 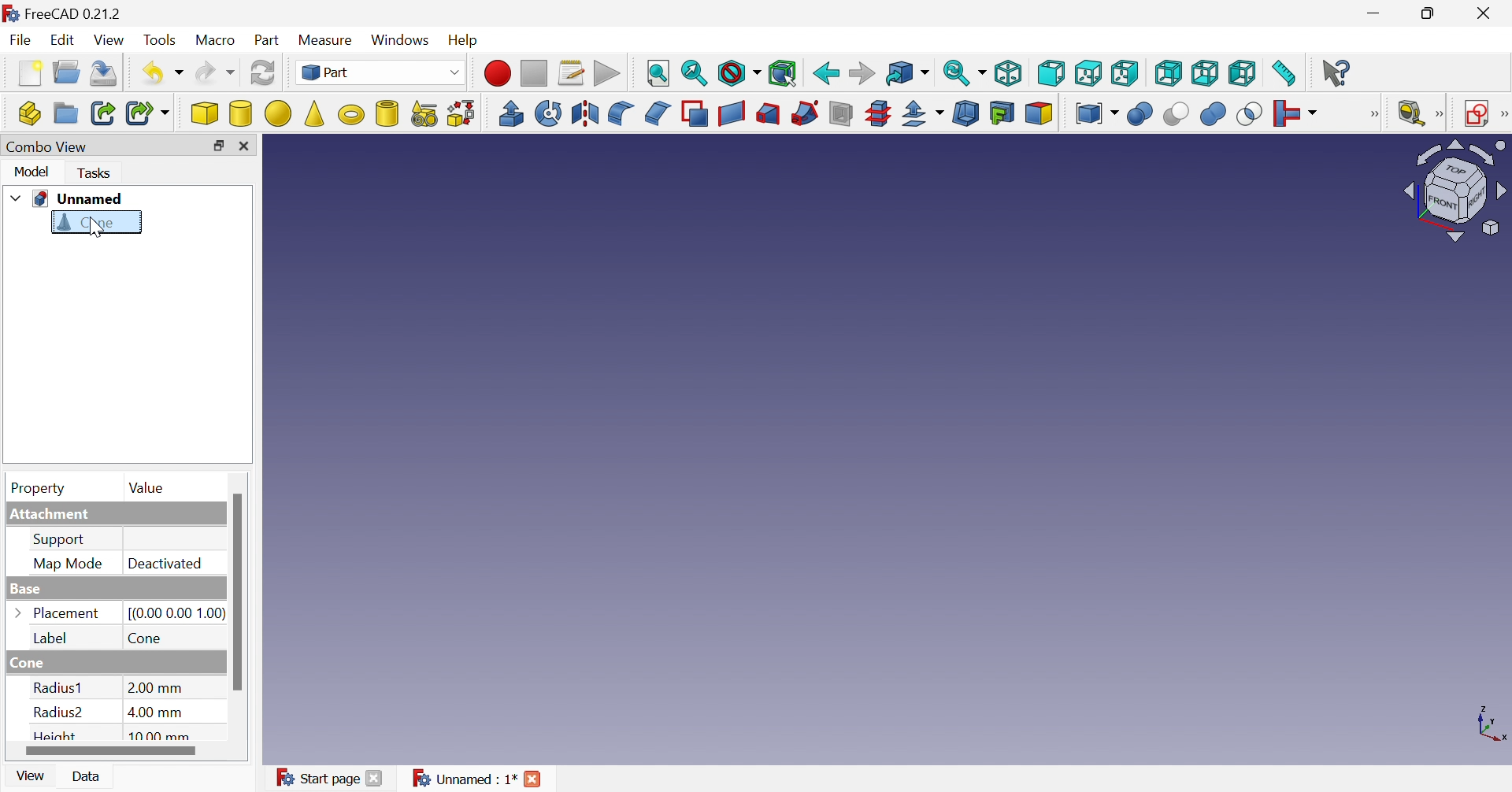 I want to click on Edit, so click(x=63, y=41).